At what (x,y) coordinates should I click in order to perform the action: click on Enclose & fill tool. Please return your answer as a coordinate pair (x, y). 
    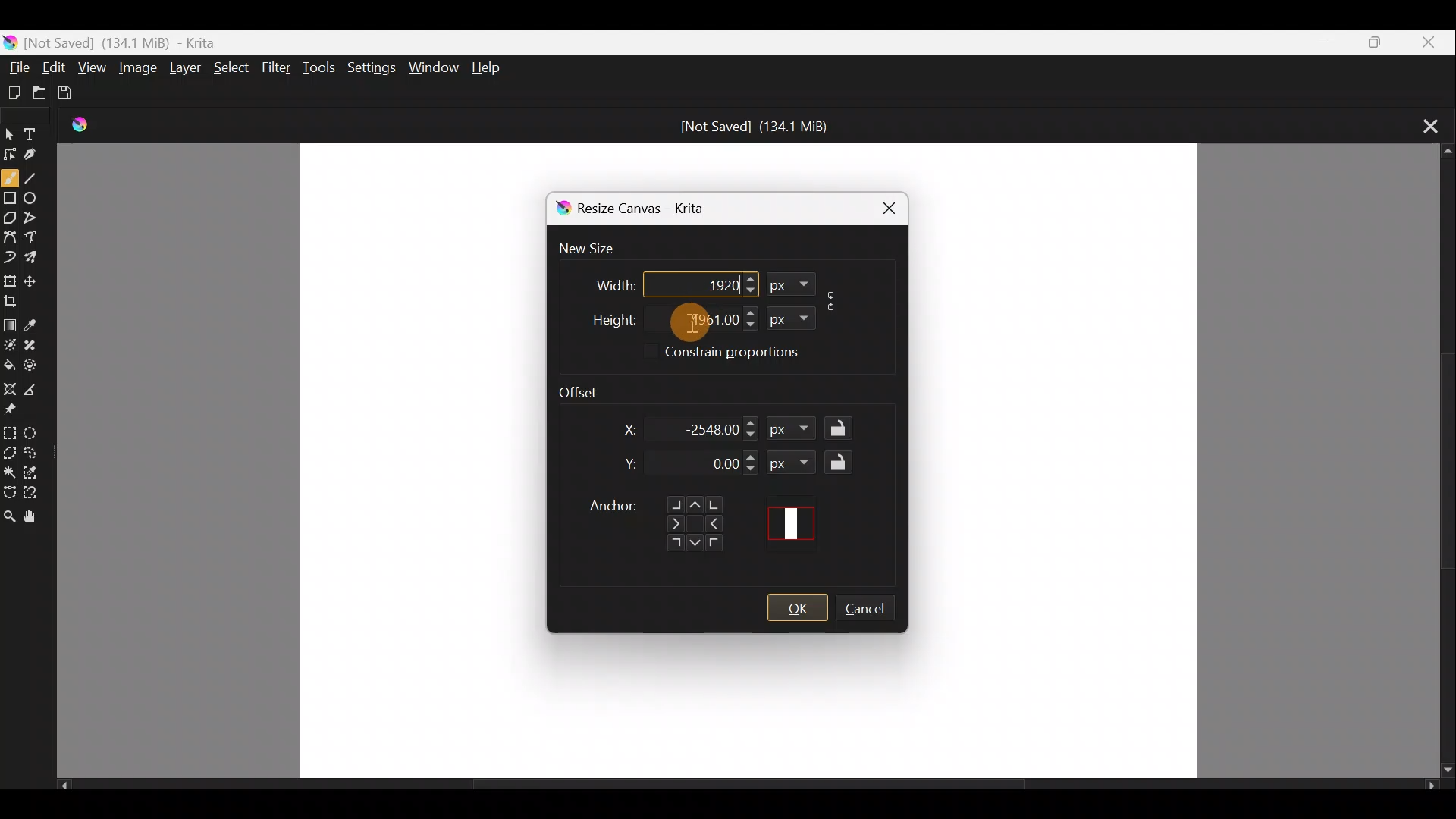
    Looking at the image, I should click on (37, 365).